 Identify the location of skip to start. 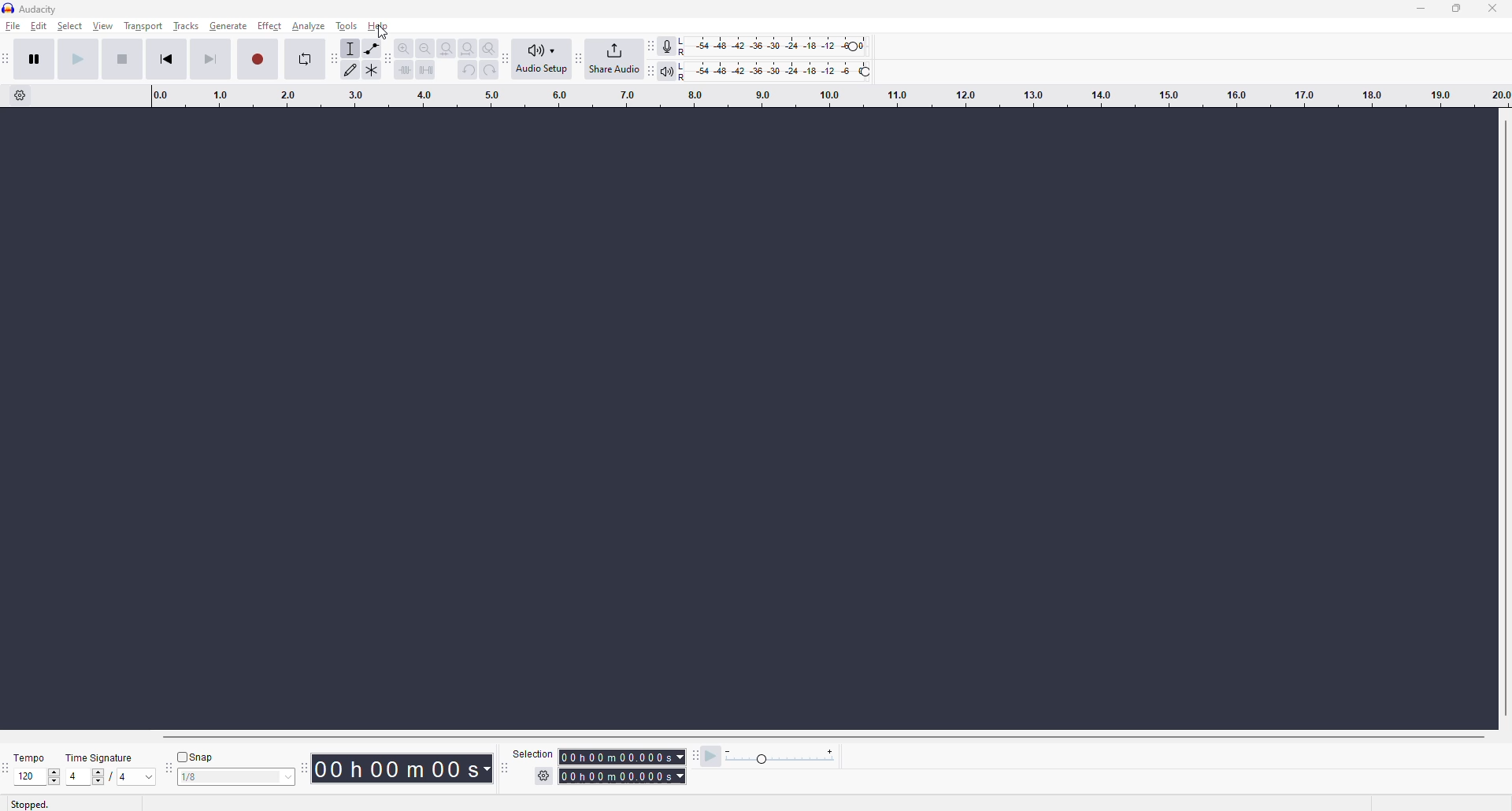
(167, 58).